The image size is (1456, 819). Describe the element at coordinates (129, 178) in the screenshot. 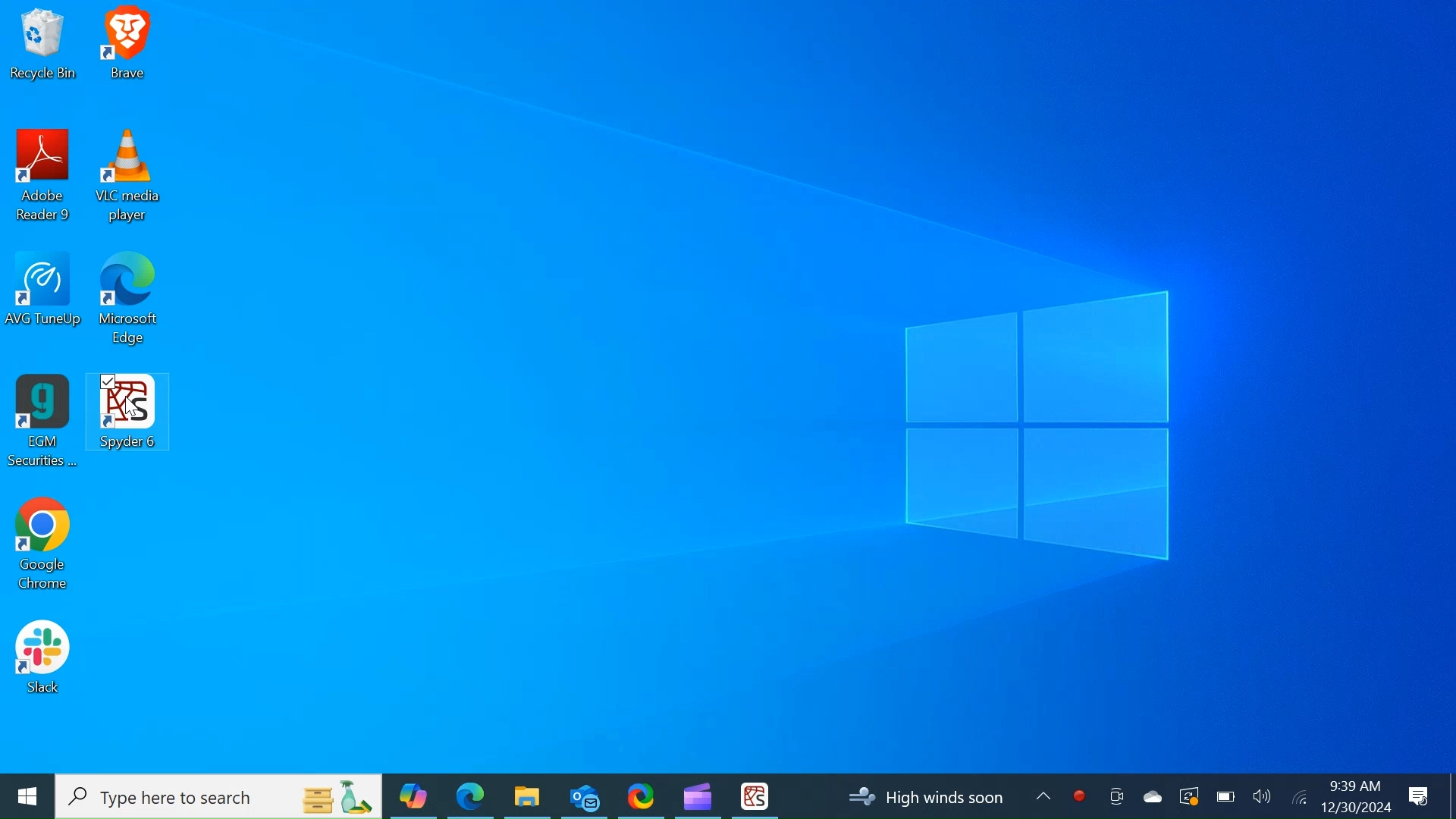

I see `VLC Media Desktop Icon` at that location.